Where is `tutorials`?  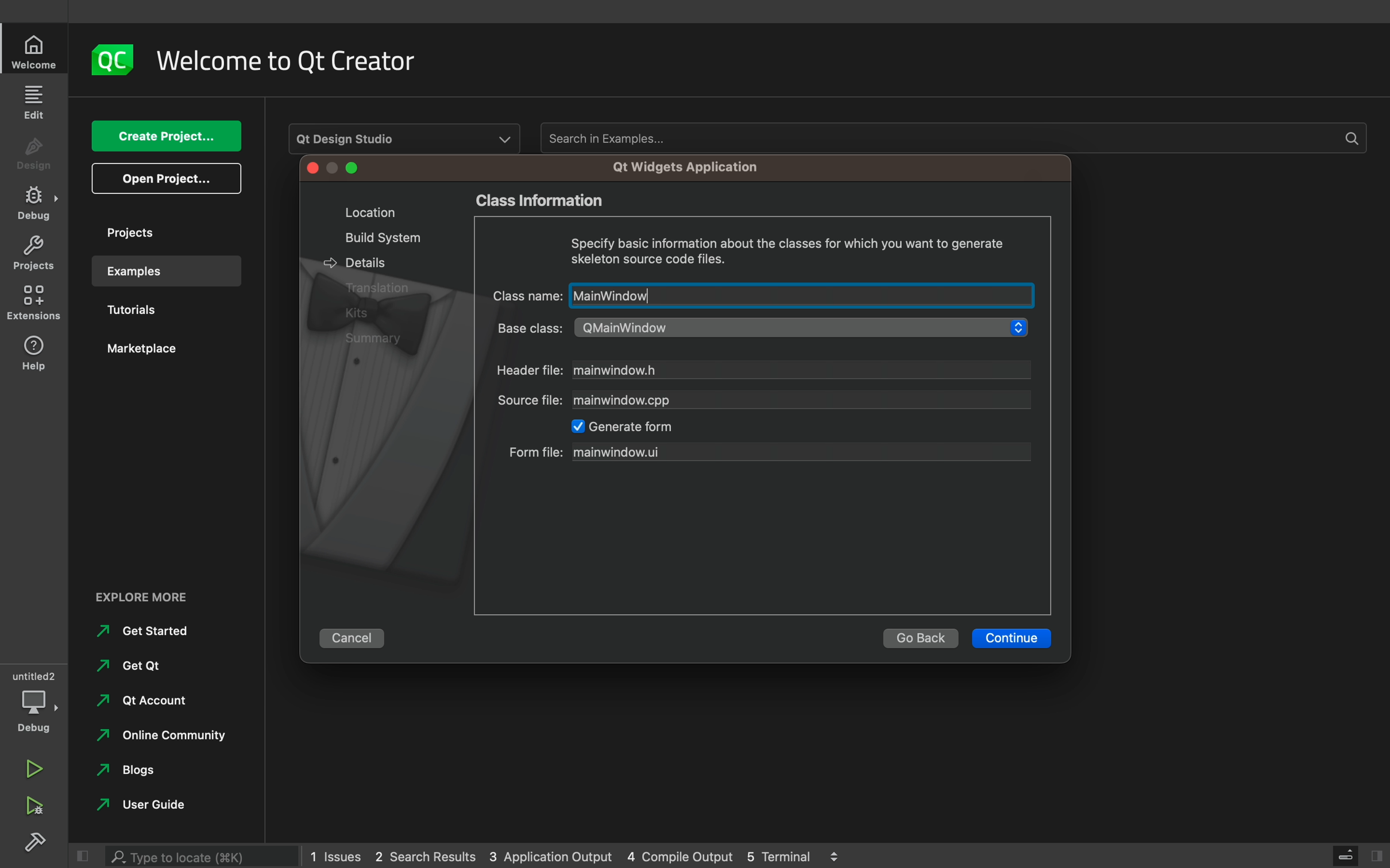
tutorials is located at coordinates (155, 312).